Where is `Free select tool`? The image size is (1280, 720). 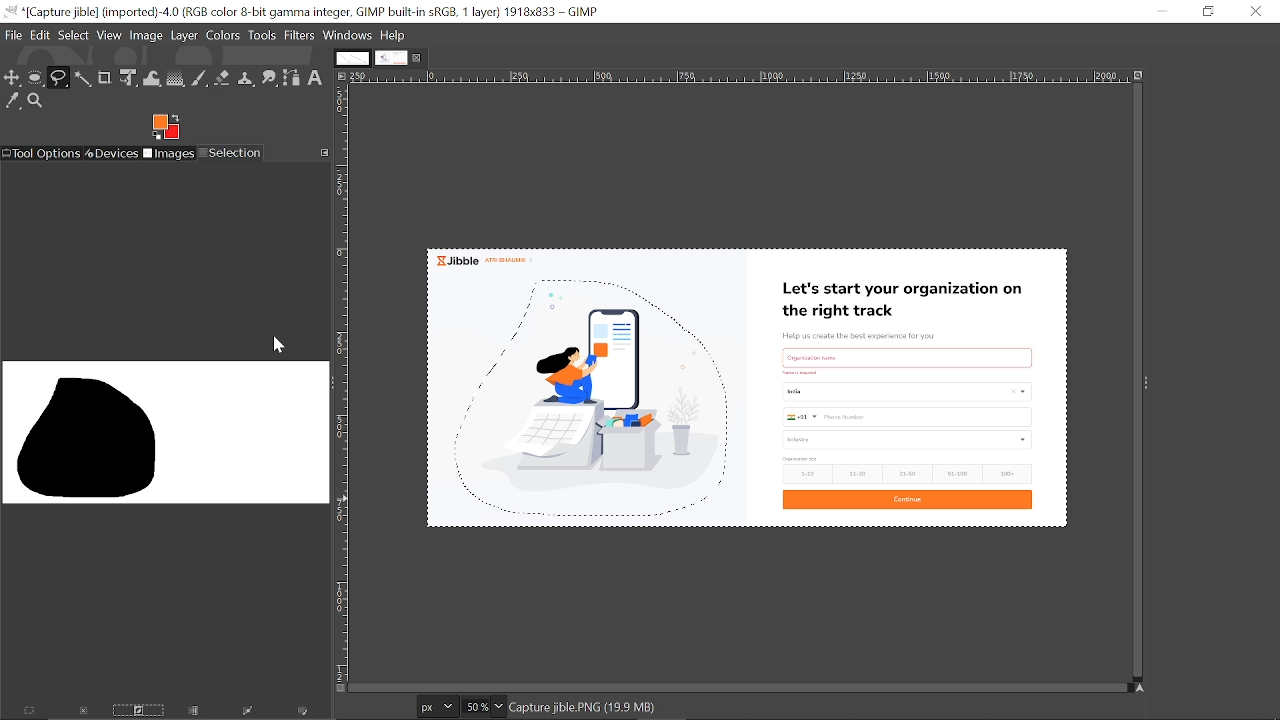 Free select tool is located at coordinates (59, 81).